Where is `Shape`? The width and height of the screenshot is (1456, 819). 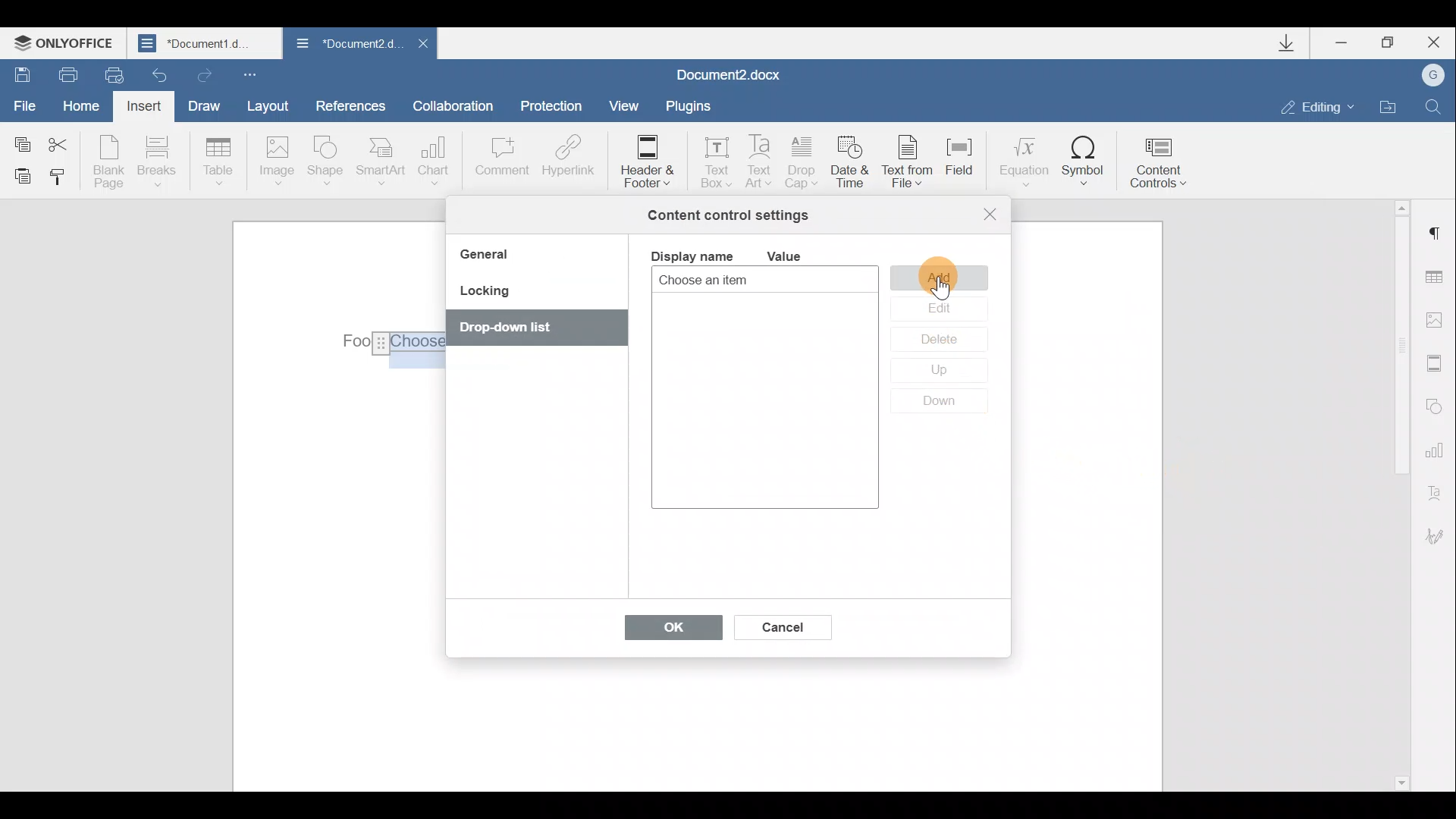 Shape is located at coordinates (328, 163).